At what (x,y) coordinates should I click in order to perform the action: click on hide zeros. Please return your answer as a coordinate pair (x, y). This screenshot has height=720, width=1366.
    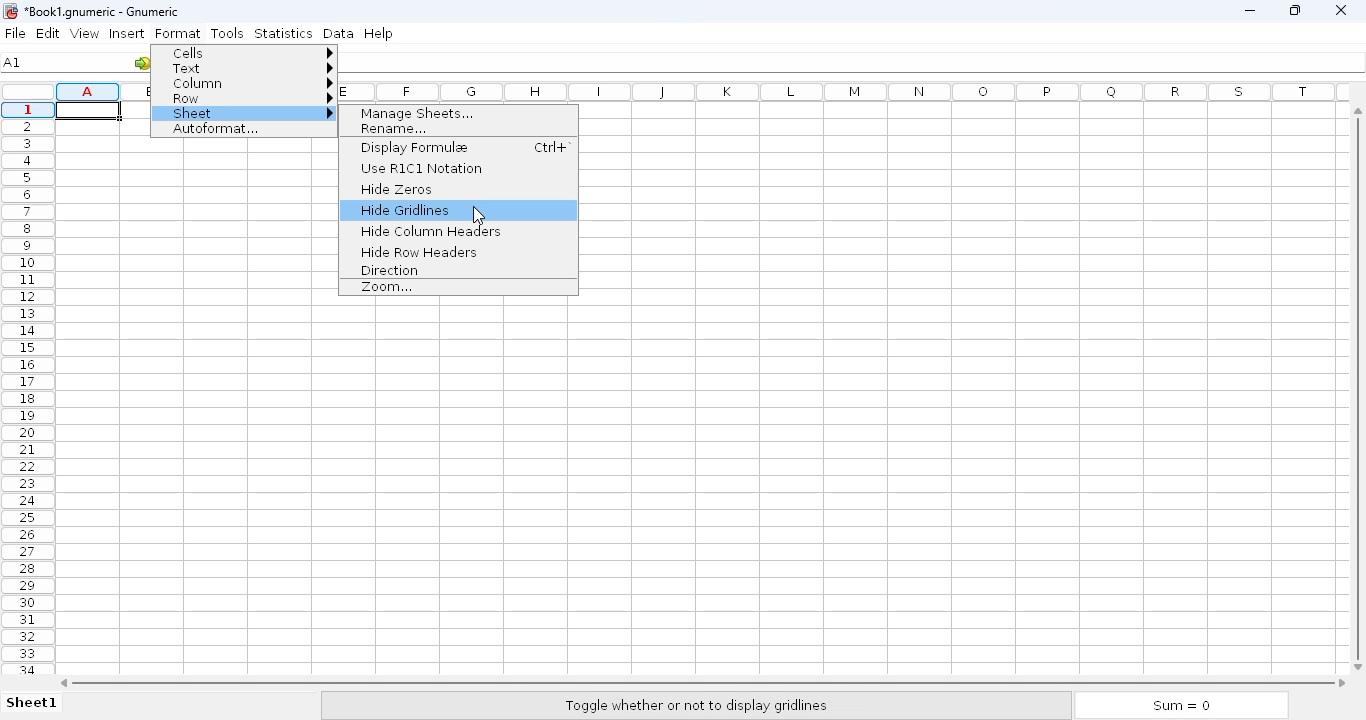
    Looking at the image, I should click on (398, 189).